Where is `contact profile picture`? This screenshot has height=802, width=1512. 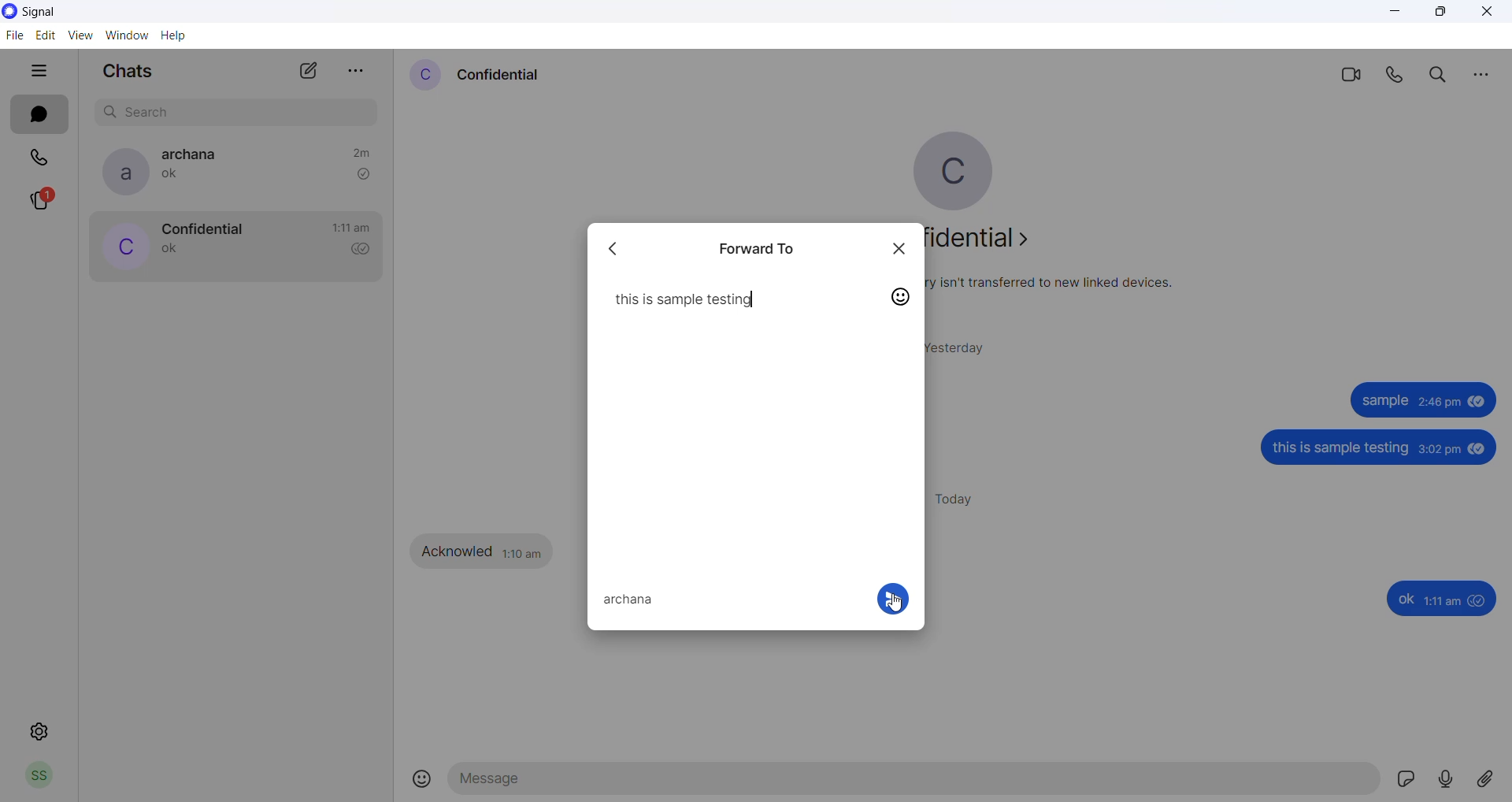 contact profile picture is located at coordinates (424, 75).